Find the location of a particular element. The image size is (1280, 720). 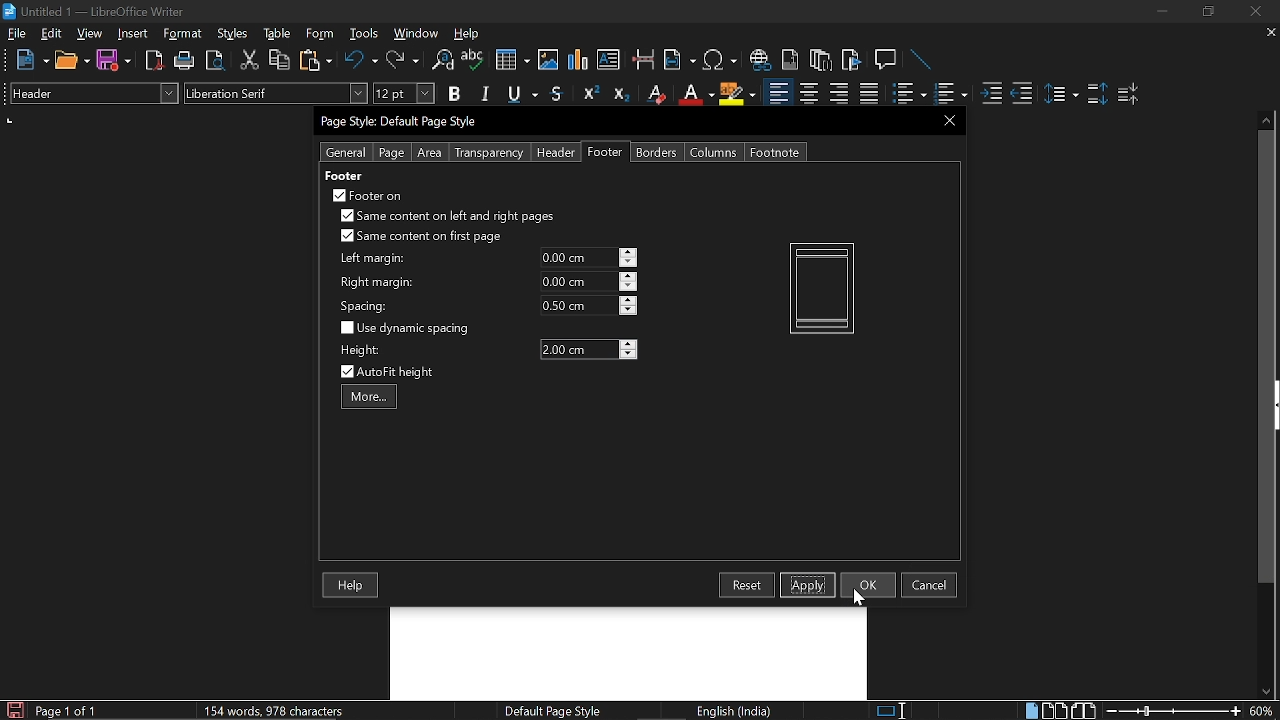

Align right is located at coordinates (841, 93).